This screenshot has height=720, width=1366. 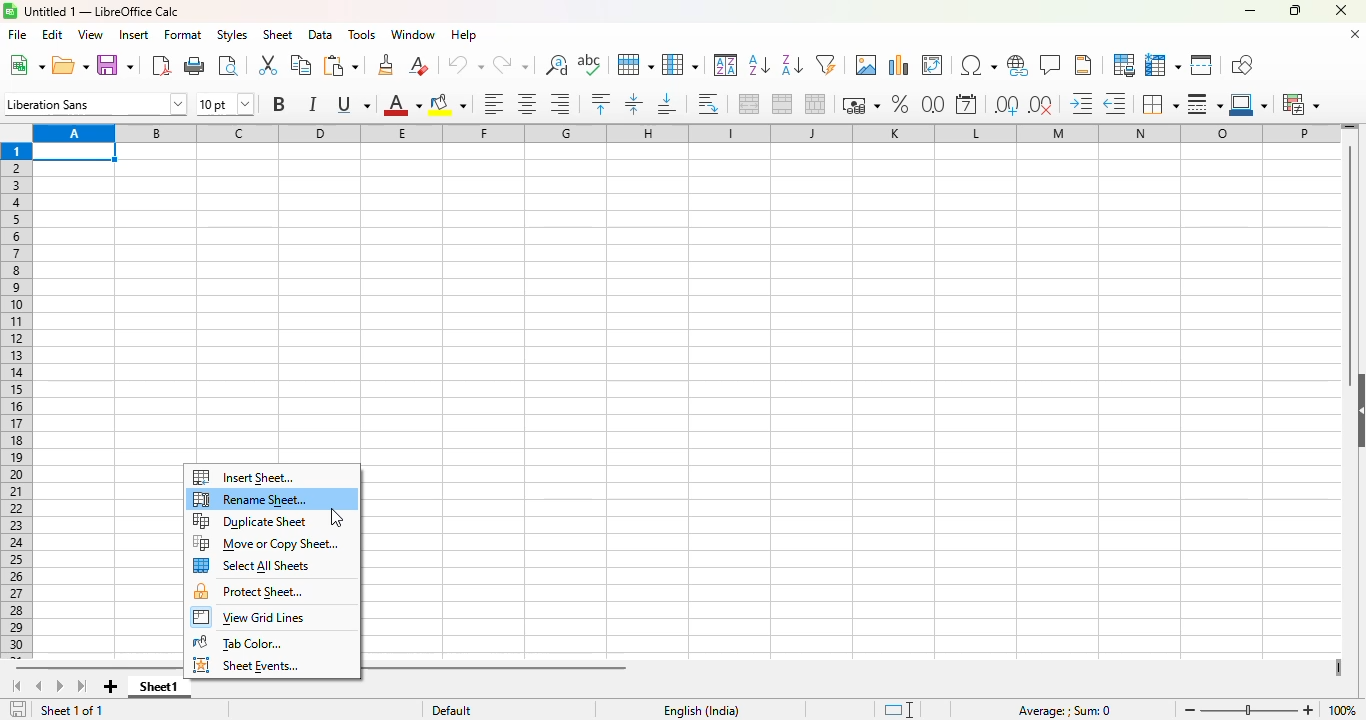 What do you see at coordinates (815, 103) in the screenshot?
I see `unmerge cells` at bounding box center [815, 103].